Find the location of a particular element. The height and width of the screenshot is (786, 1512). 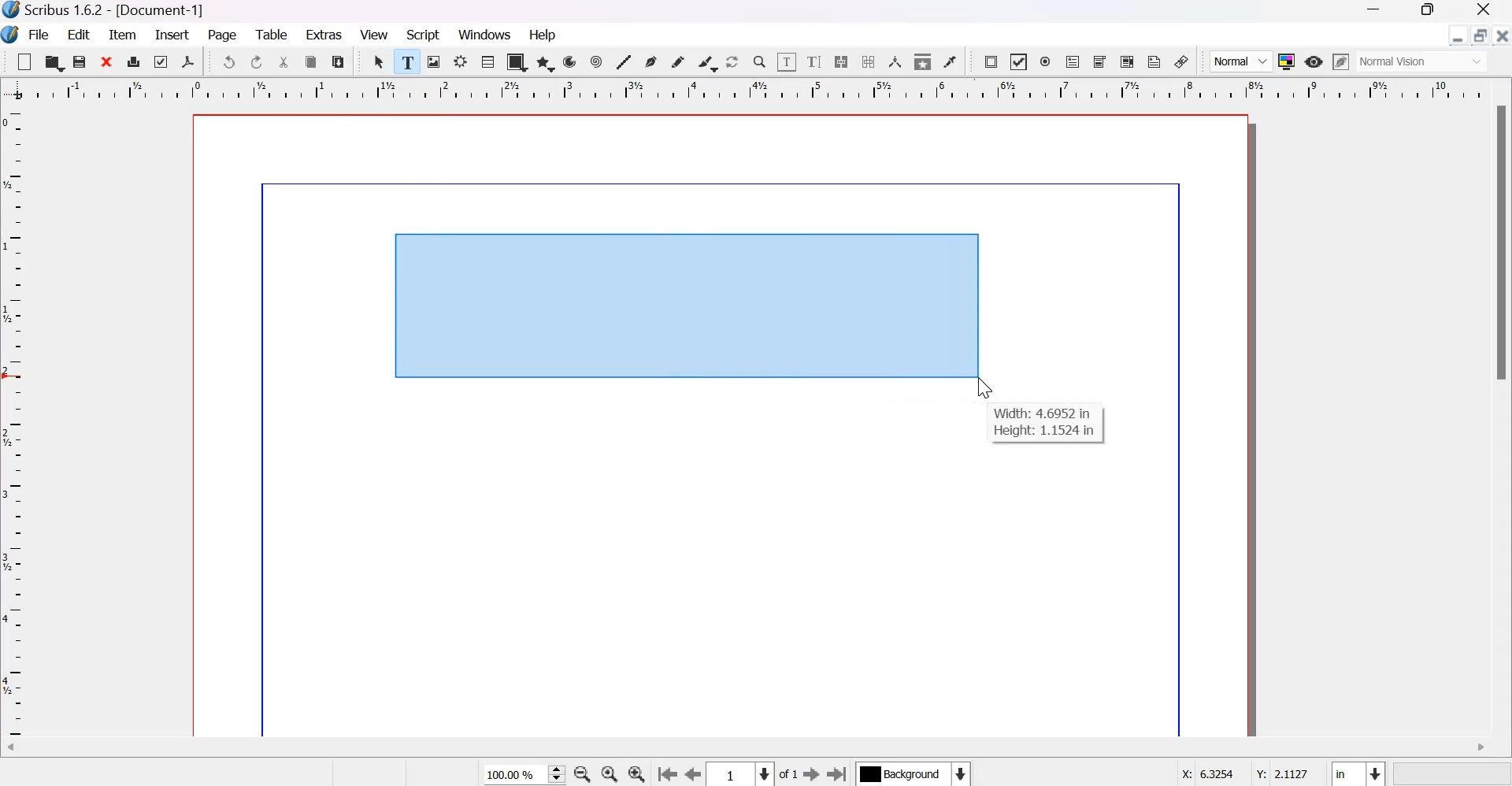

paste is located at coordinates (339, 61).